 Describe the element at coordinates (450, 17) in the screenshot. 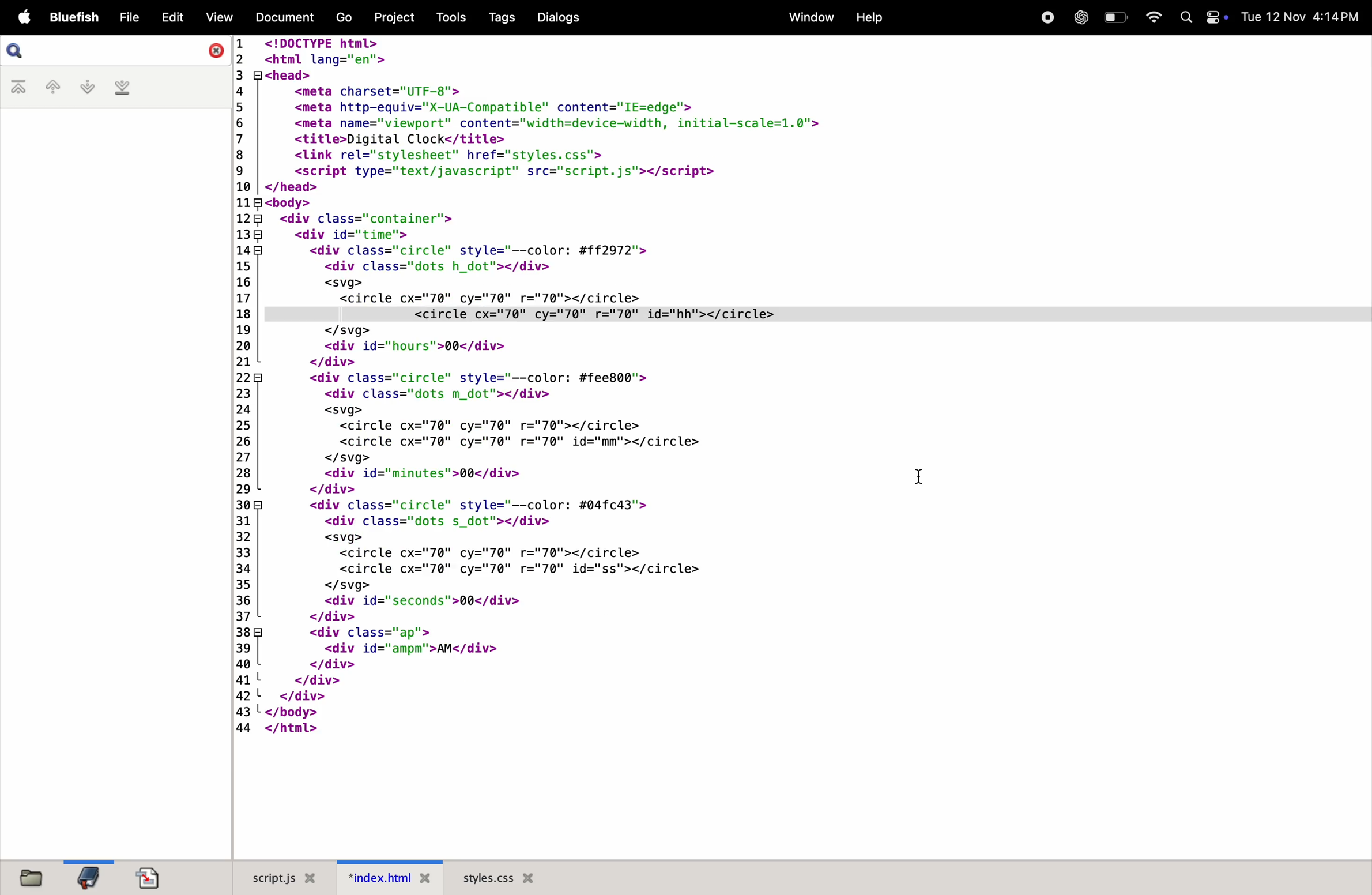

I see `tools` at that location.